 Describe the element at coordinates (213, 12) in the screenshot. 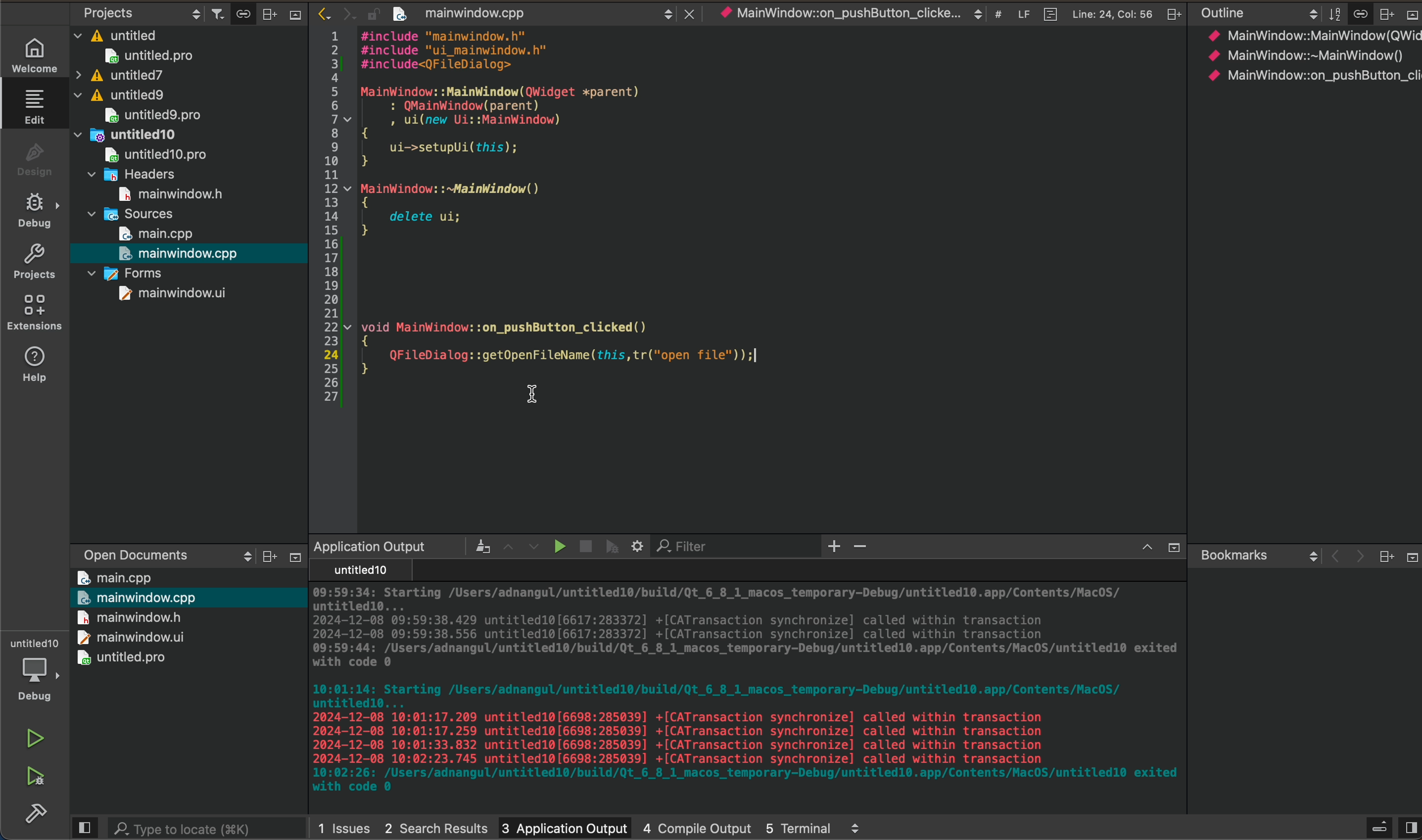

I see `filter` at that location.